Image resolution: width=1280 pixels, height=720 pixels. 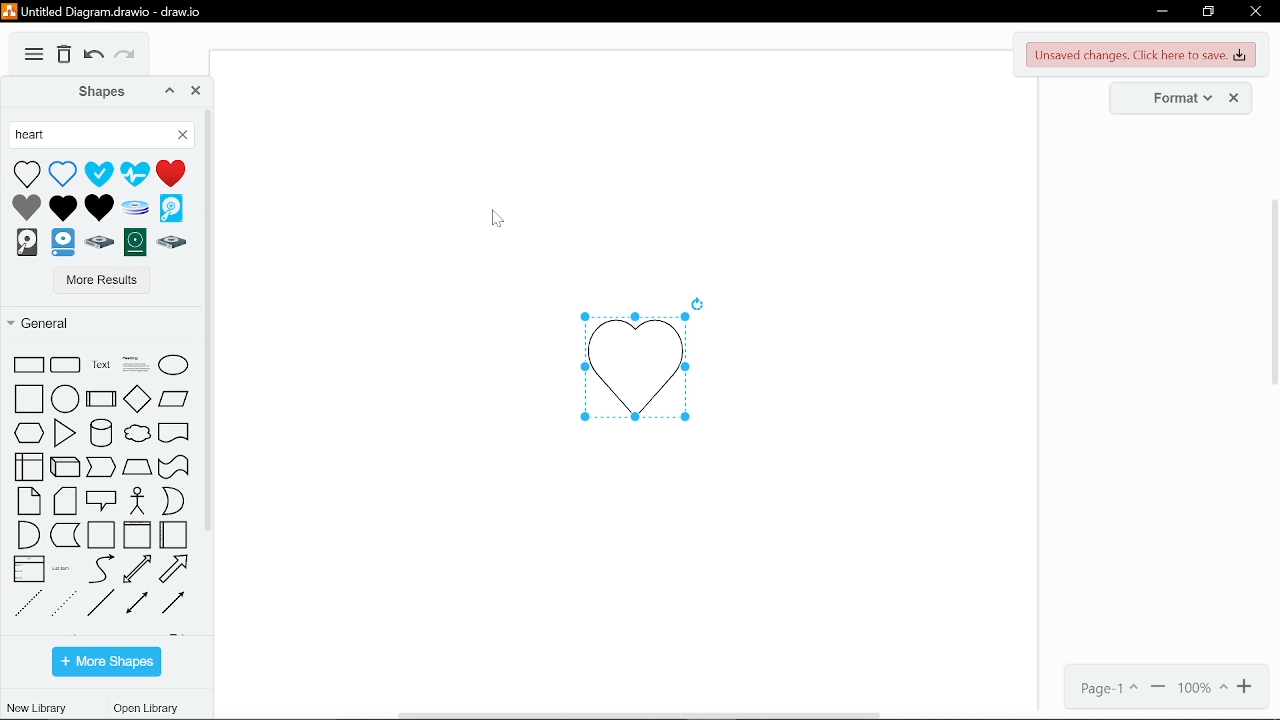 I want to click on list item, so click(x=62, y=569).